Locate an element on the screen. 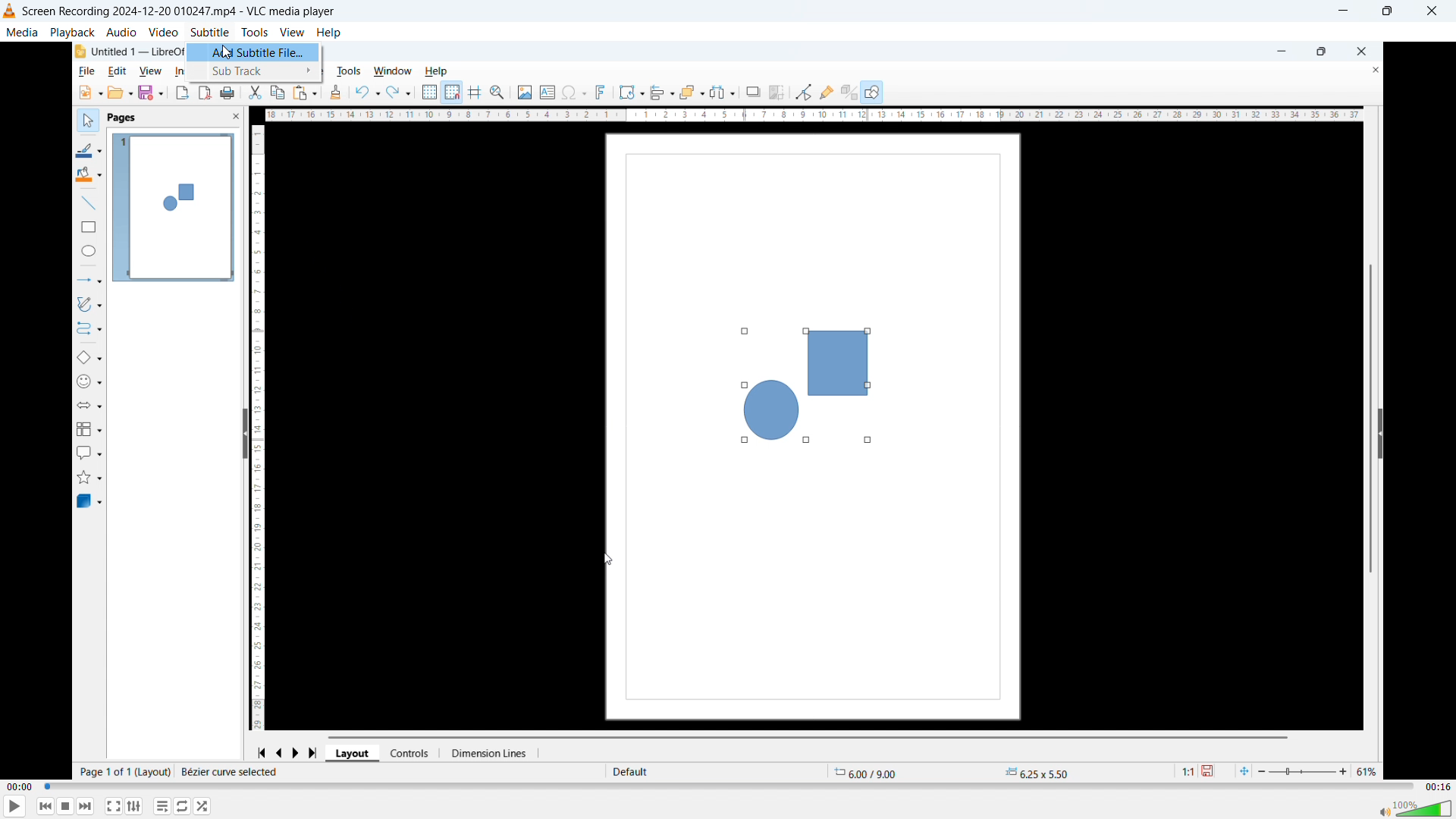 The height and width of the screenshot is (819, 1456). cursor position-6.00/9.00 is located at coordinates (872, 770).